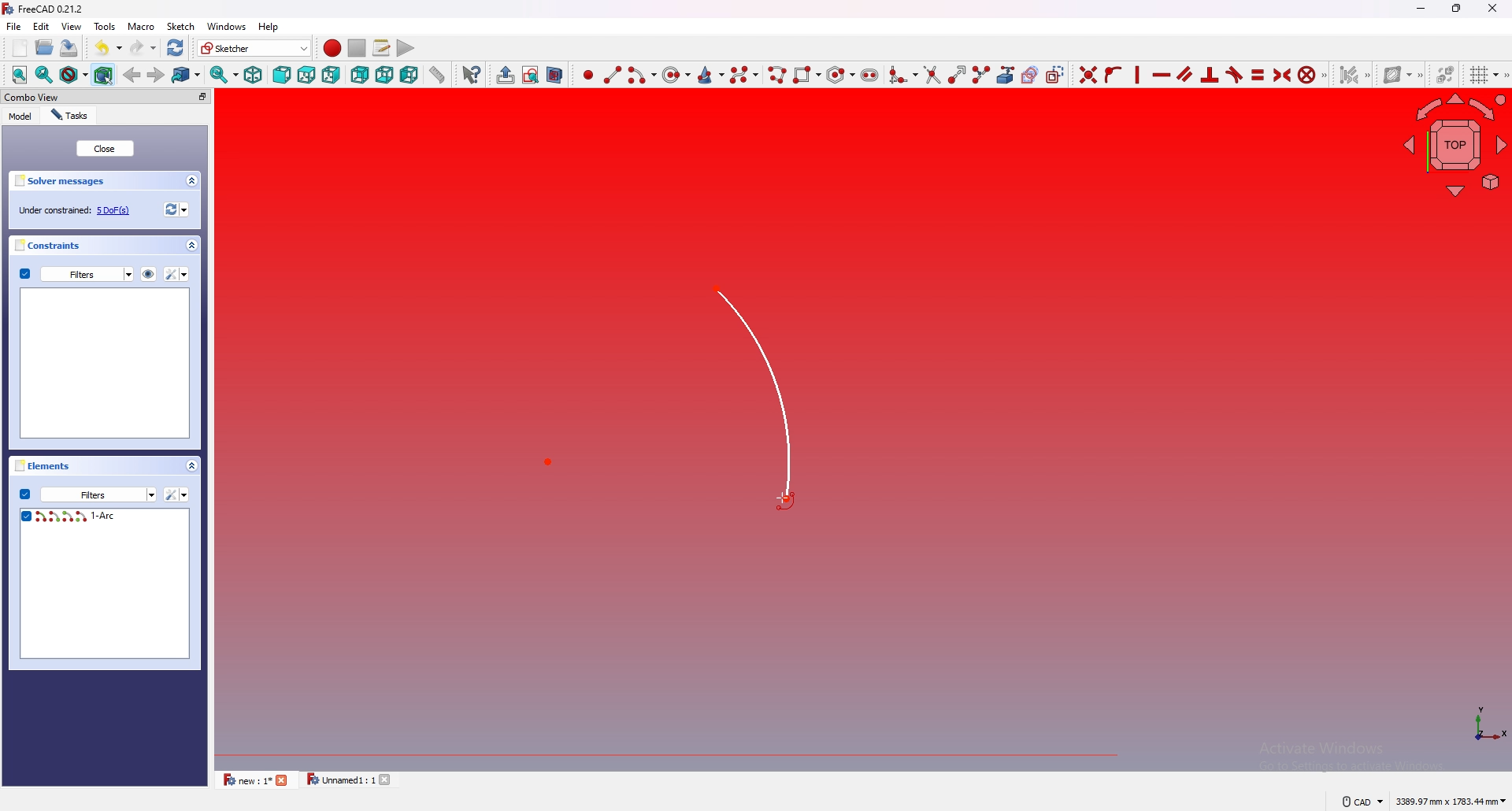 The width and height of the screenshot is (1512, 811). What do you see at coordinates (157, 74) in the screenshot?
I see `forward` at bounding box center [157, 74].